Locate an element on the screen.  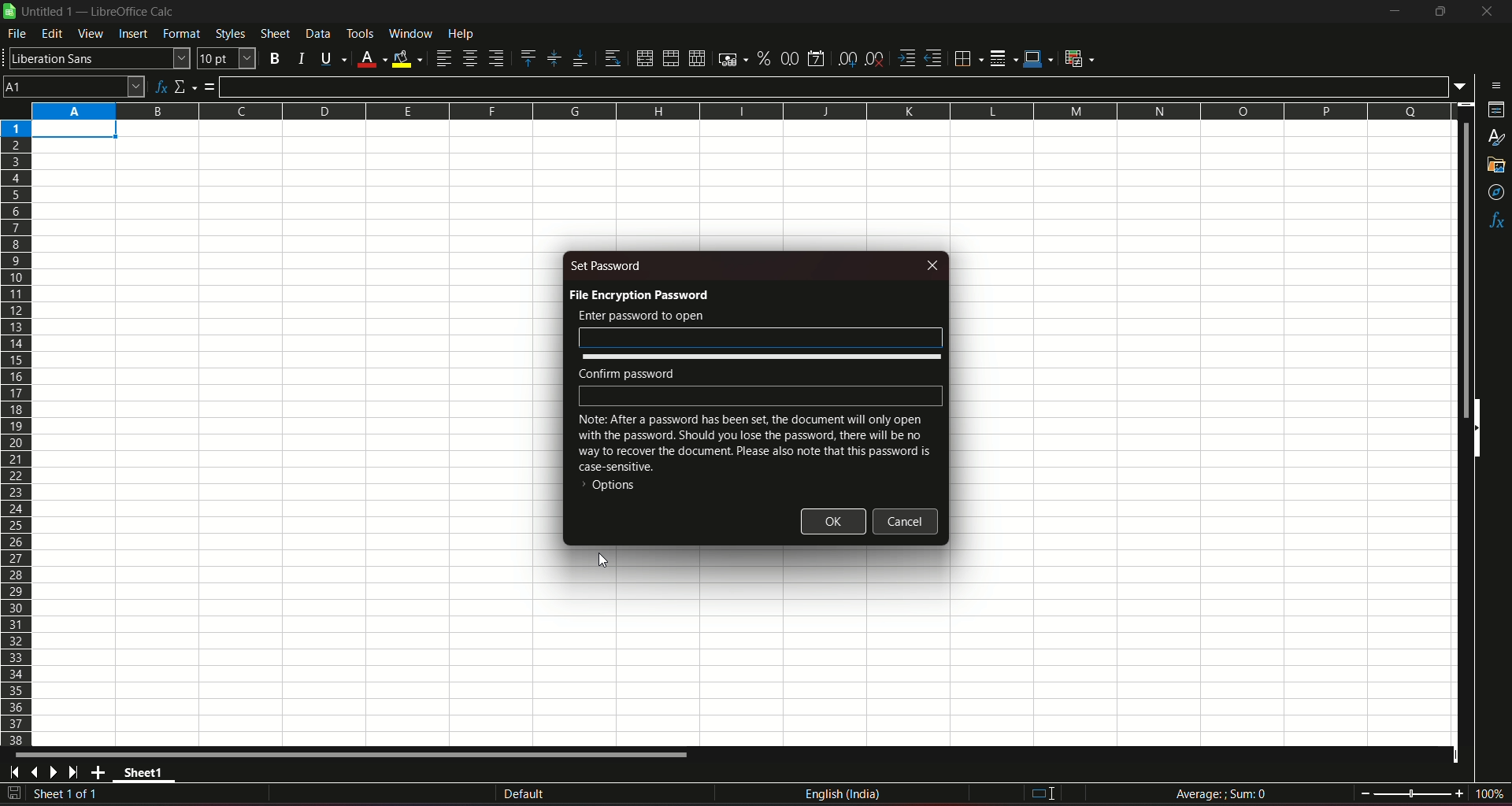
default is located at coordinates (524, 793).